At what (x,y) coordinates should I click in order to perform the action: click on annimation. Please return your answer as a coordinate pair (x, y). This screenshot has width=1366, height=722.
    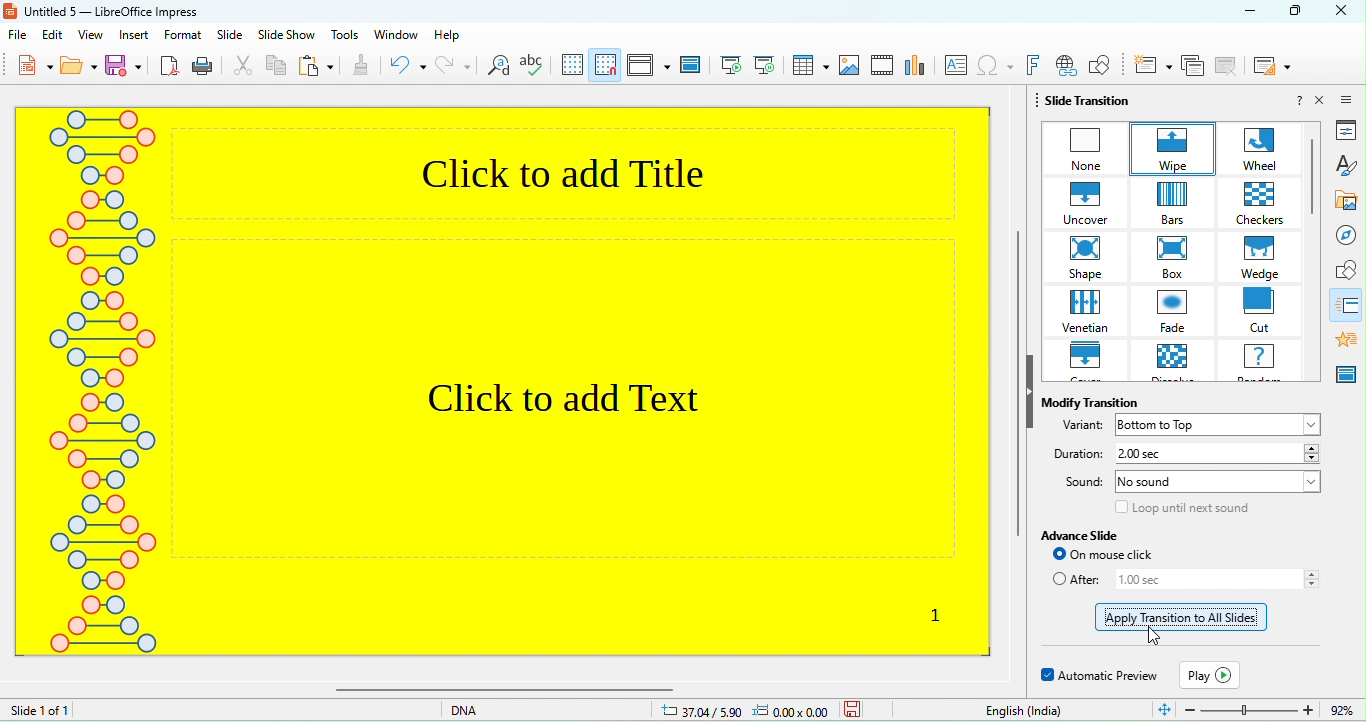
    Looking at the image, I should click on (1347, 338).